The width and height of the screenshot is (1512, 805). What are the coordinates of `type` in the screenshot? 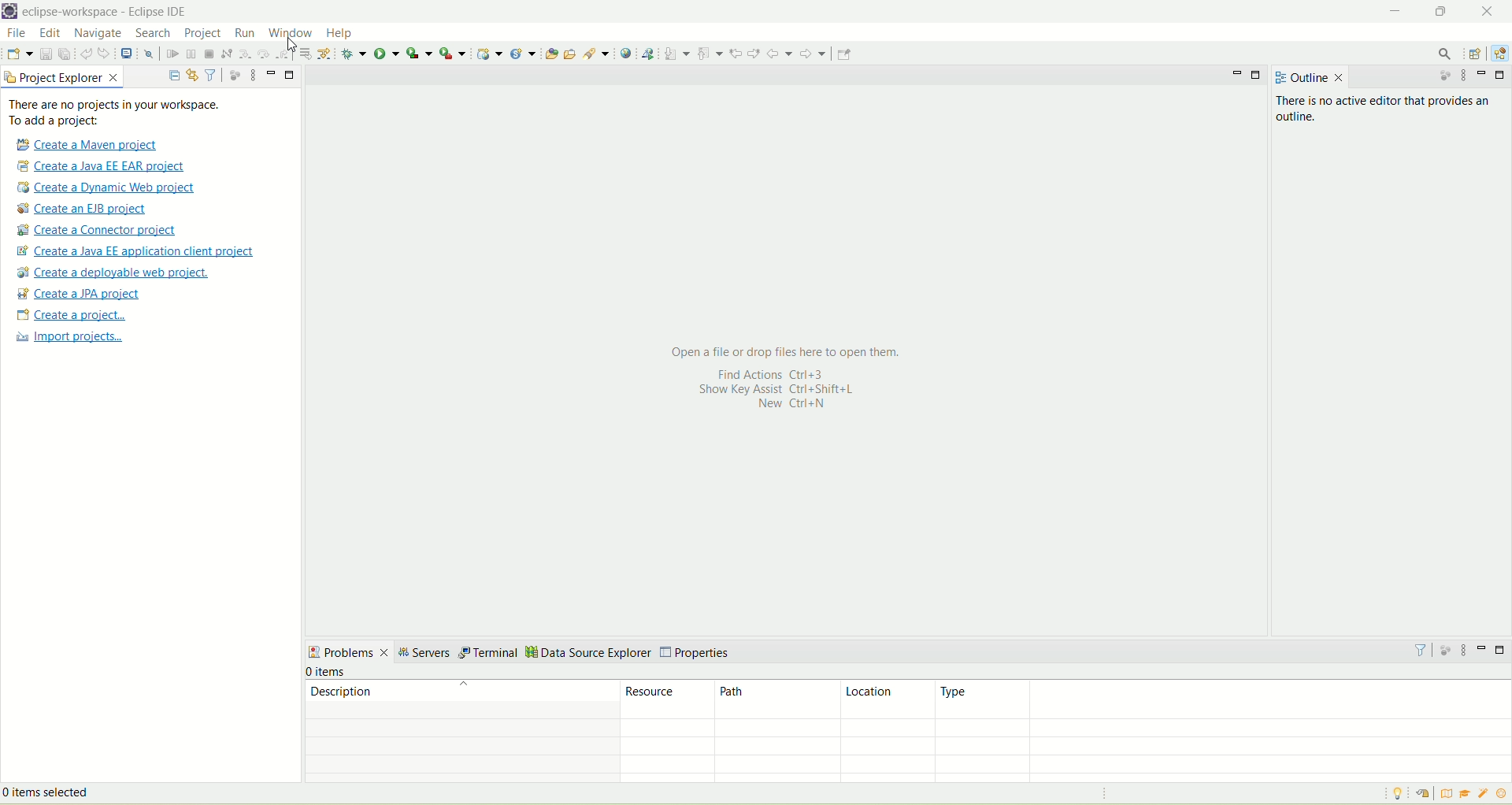 It's located at (1225, 699).